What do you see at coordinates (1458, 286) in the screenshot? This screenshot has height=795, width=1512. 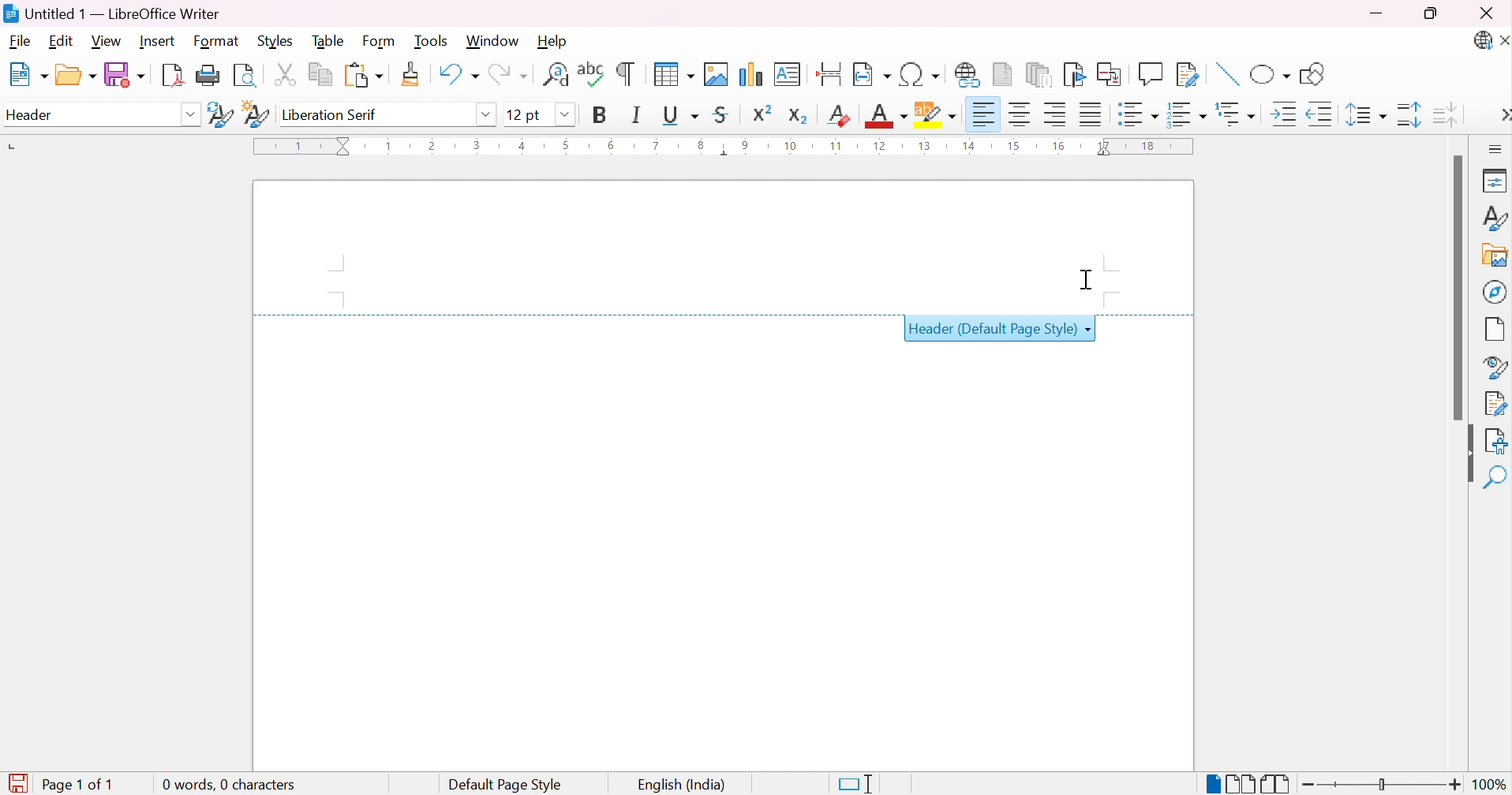 I see `Scroll bar` at bounding box center [1458, 286].